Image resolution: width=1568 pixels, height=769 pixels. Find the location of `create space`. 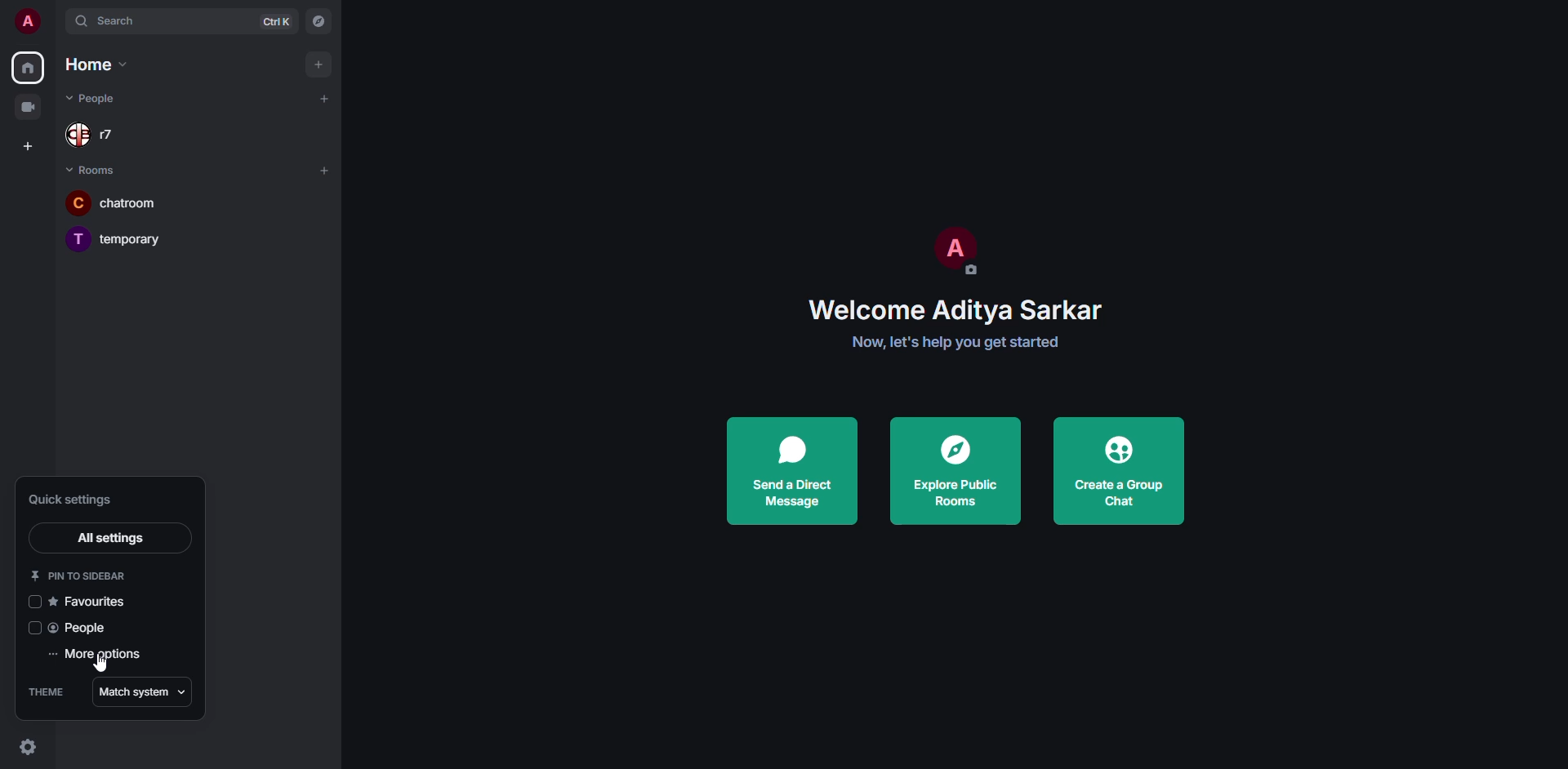

create space is located at coordinates (25, 147).